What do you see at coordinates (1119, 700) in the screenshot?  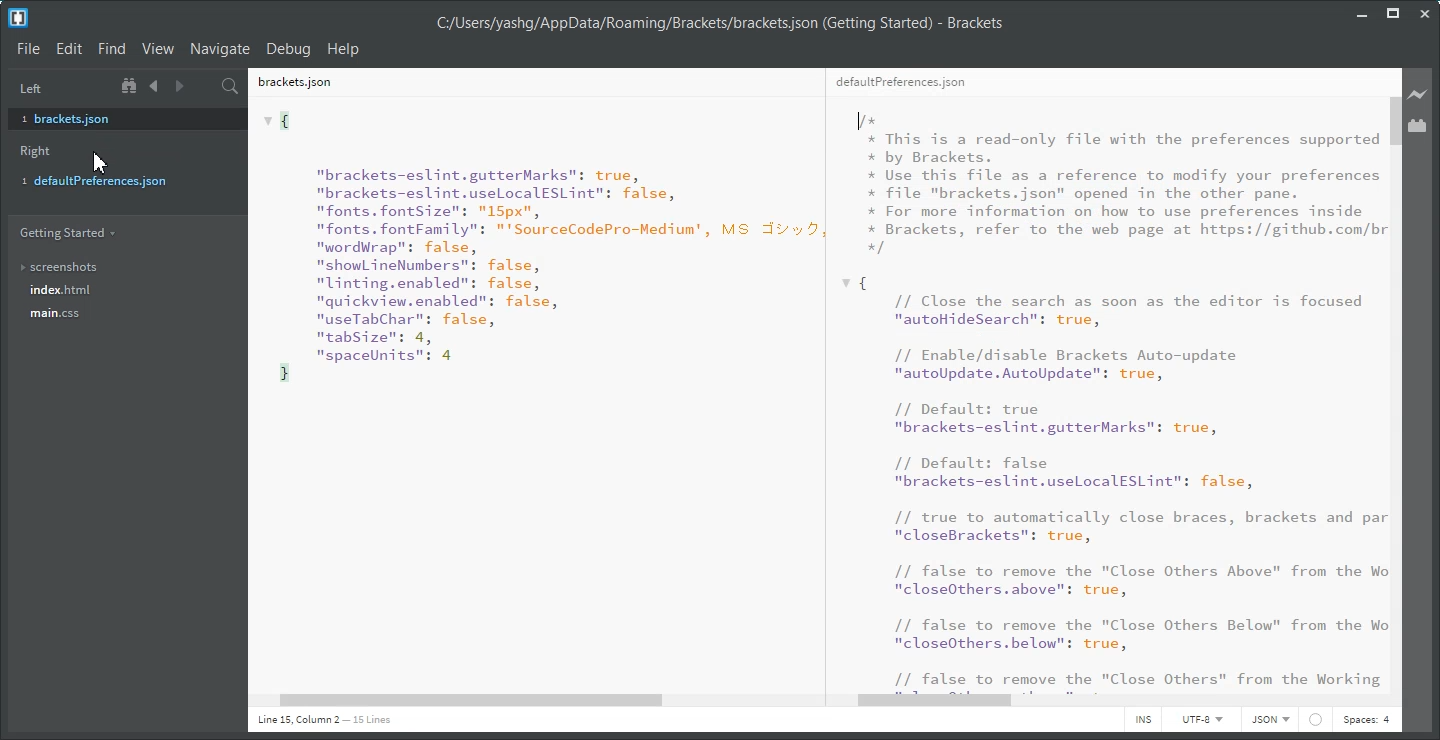 I see `Horizontal Scroll Bar` at bounding box center [1119, 700].